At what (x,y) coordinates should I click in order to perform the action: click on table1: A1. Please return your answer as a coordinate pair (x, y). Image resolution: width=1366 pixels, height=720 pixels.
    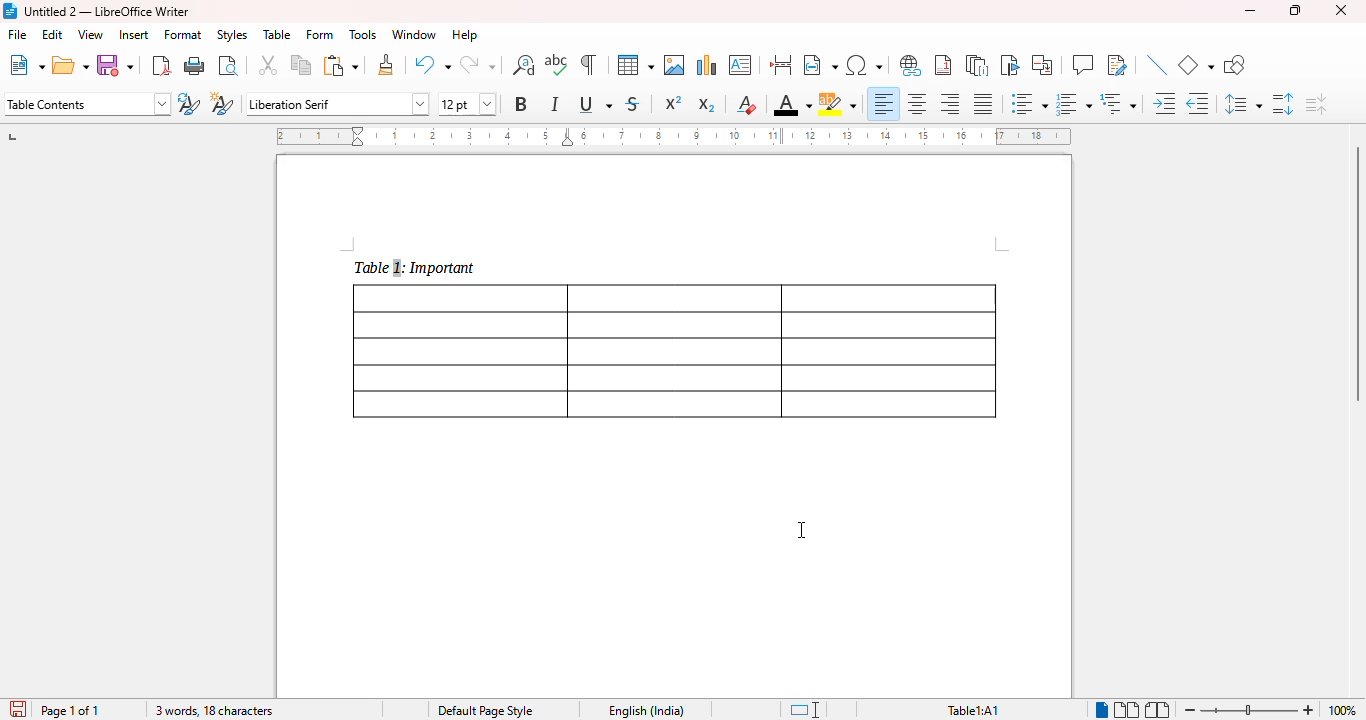
    Looking at the image, I should click on (973, 711).